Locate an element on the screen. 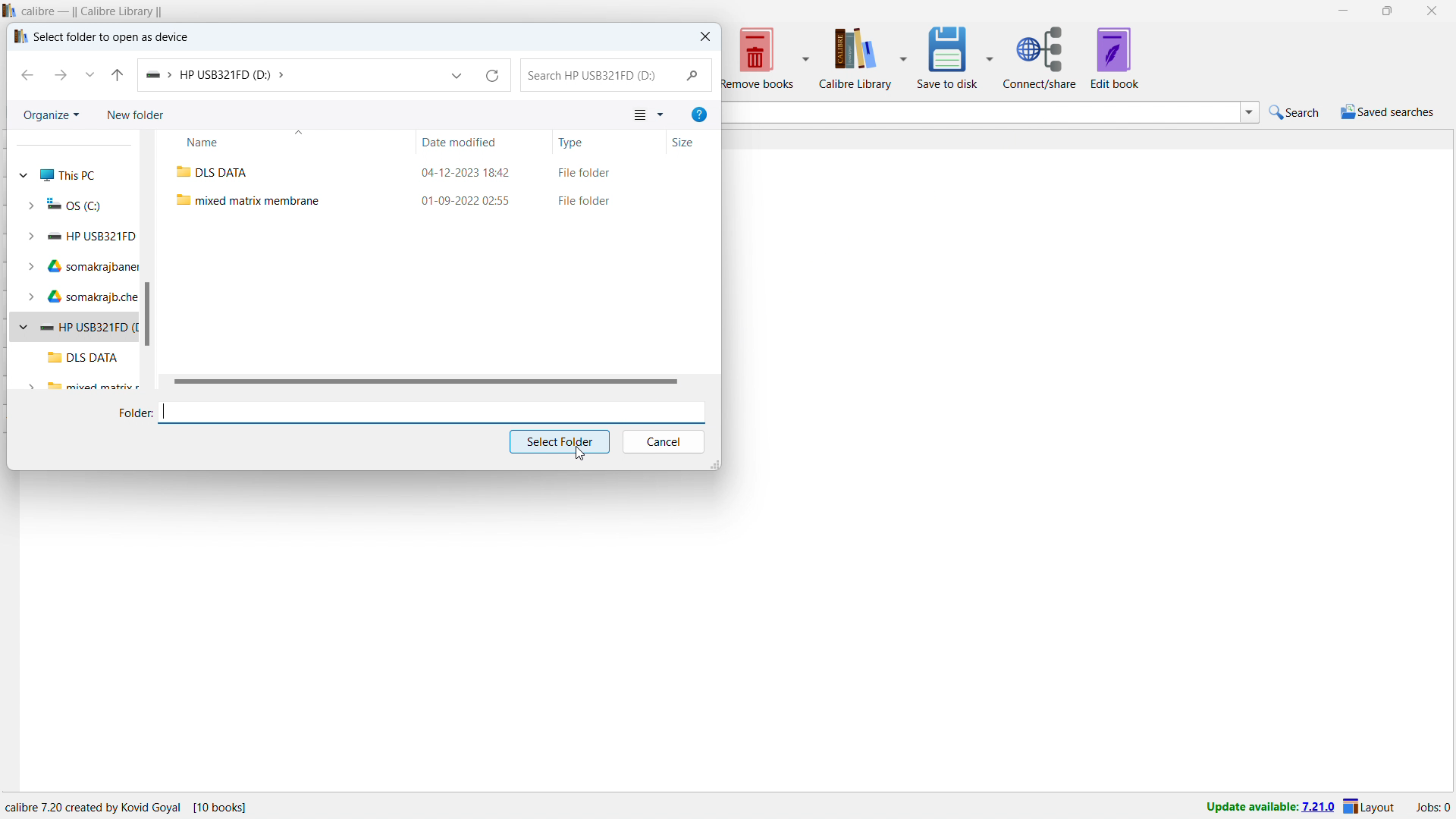 The height and width of the screenshot is (819, 1456). connect/share is located at coordinates (1043, 56).